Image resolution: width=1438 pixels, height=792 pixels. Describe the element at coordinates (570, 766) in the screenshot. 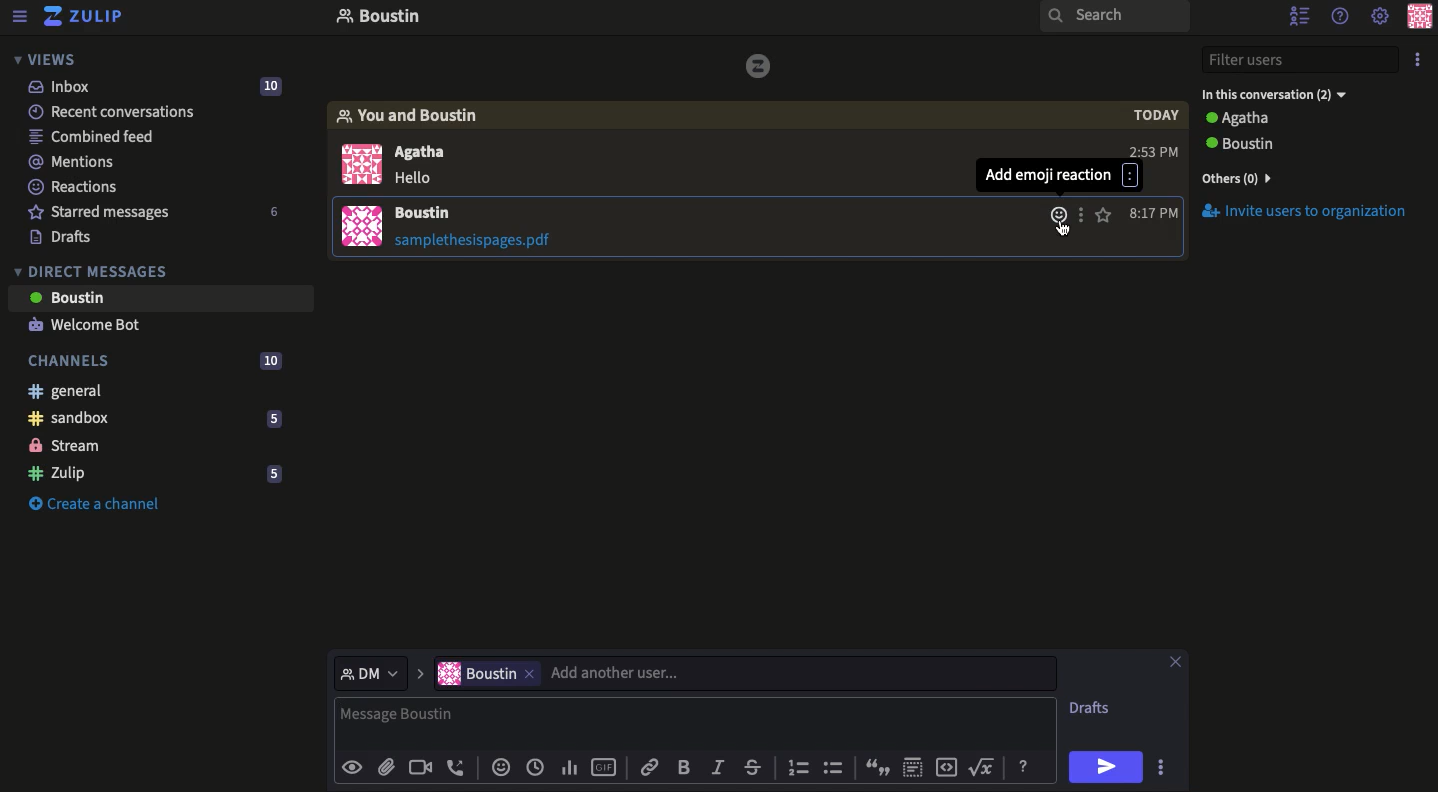

I see `Chart` at that location.